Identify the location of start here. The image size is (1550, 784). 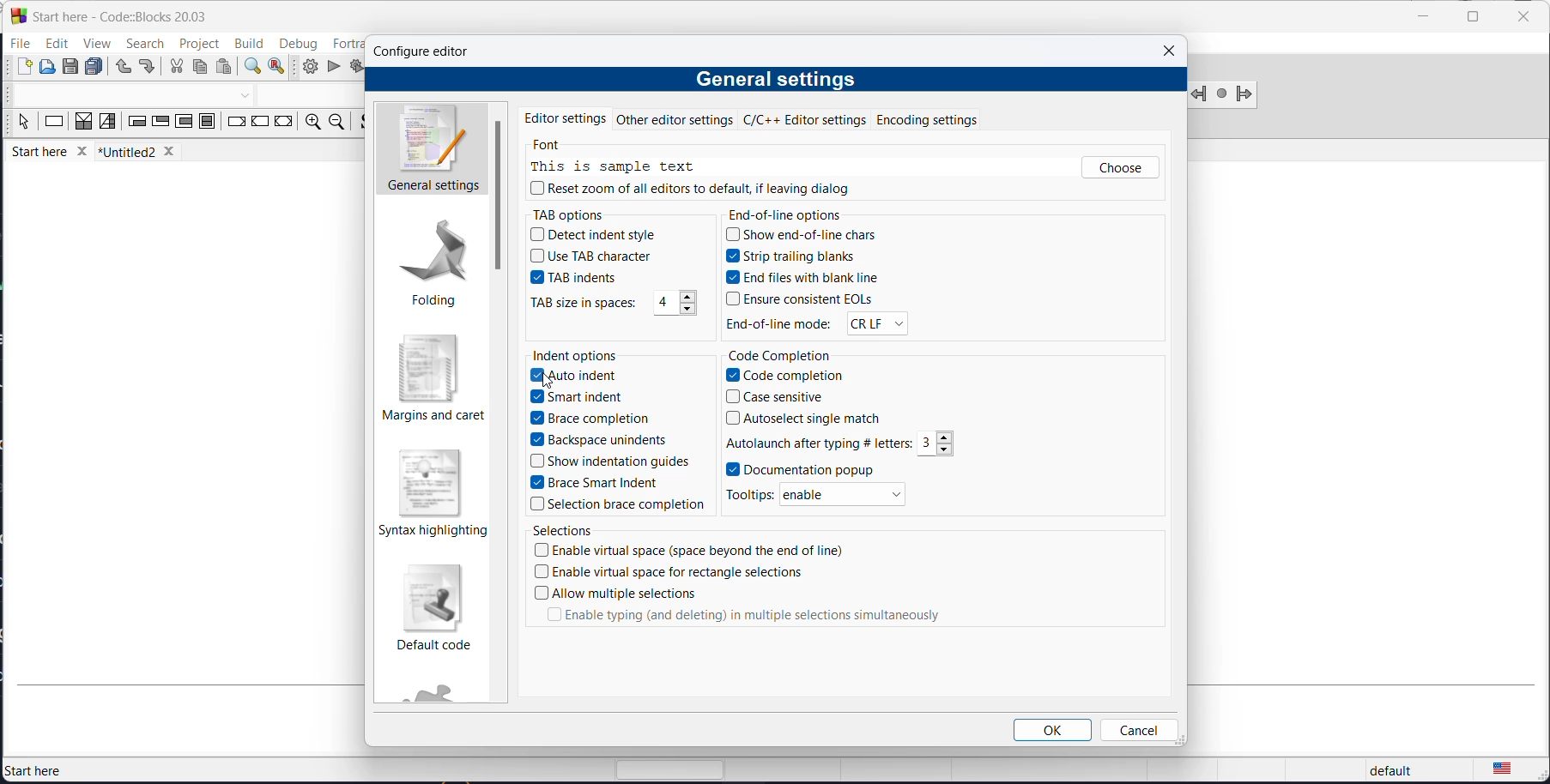
(51, 154).